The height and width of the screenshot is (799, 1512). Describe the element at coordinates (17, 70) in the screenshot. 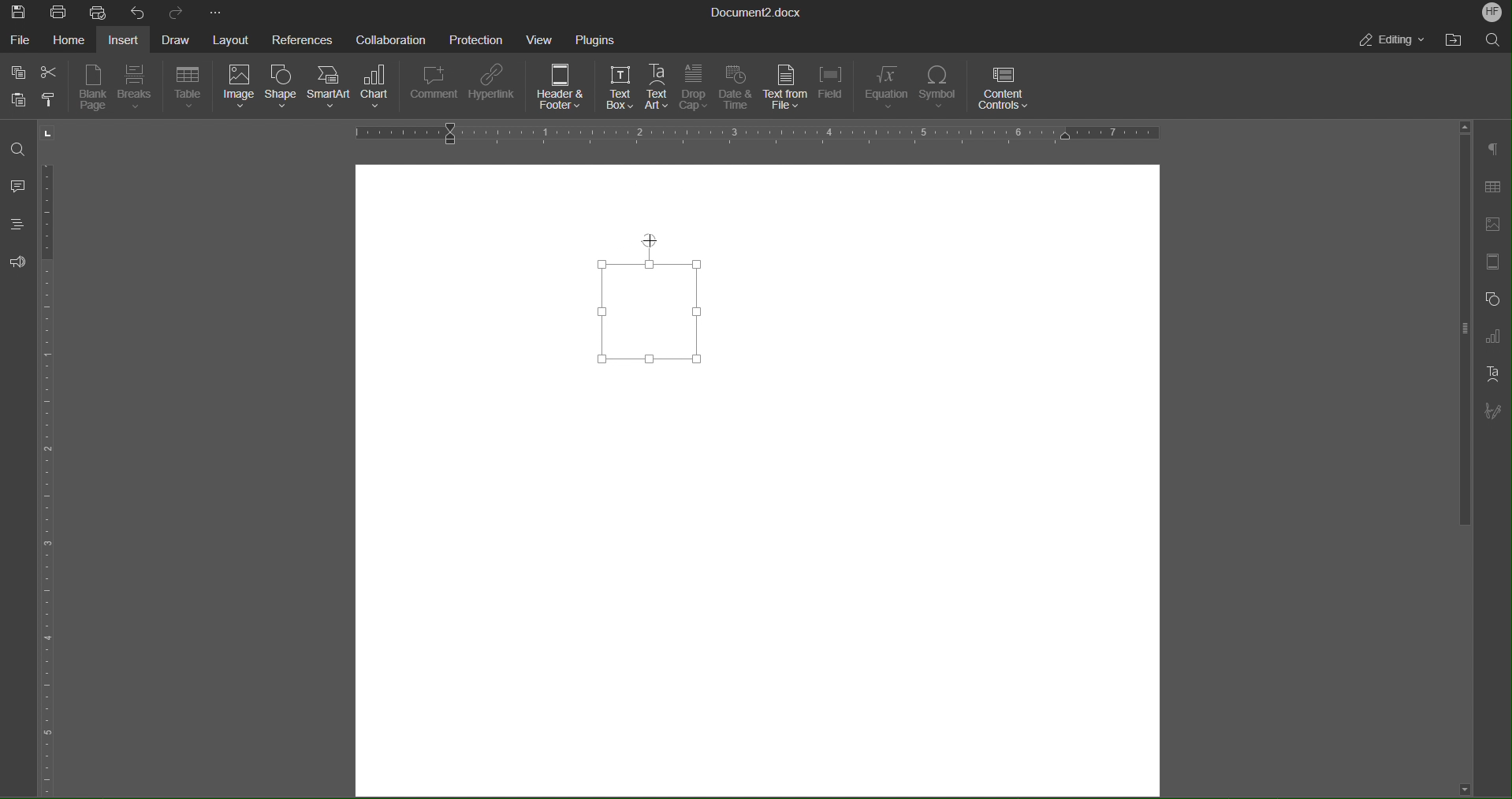

I see `Copy` at that location.